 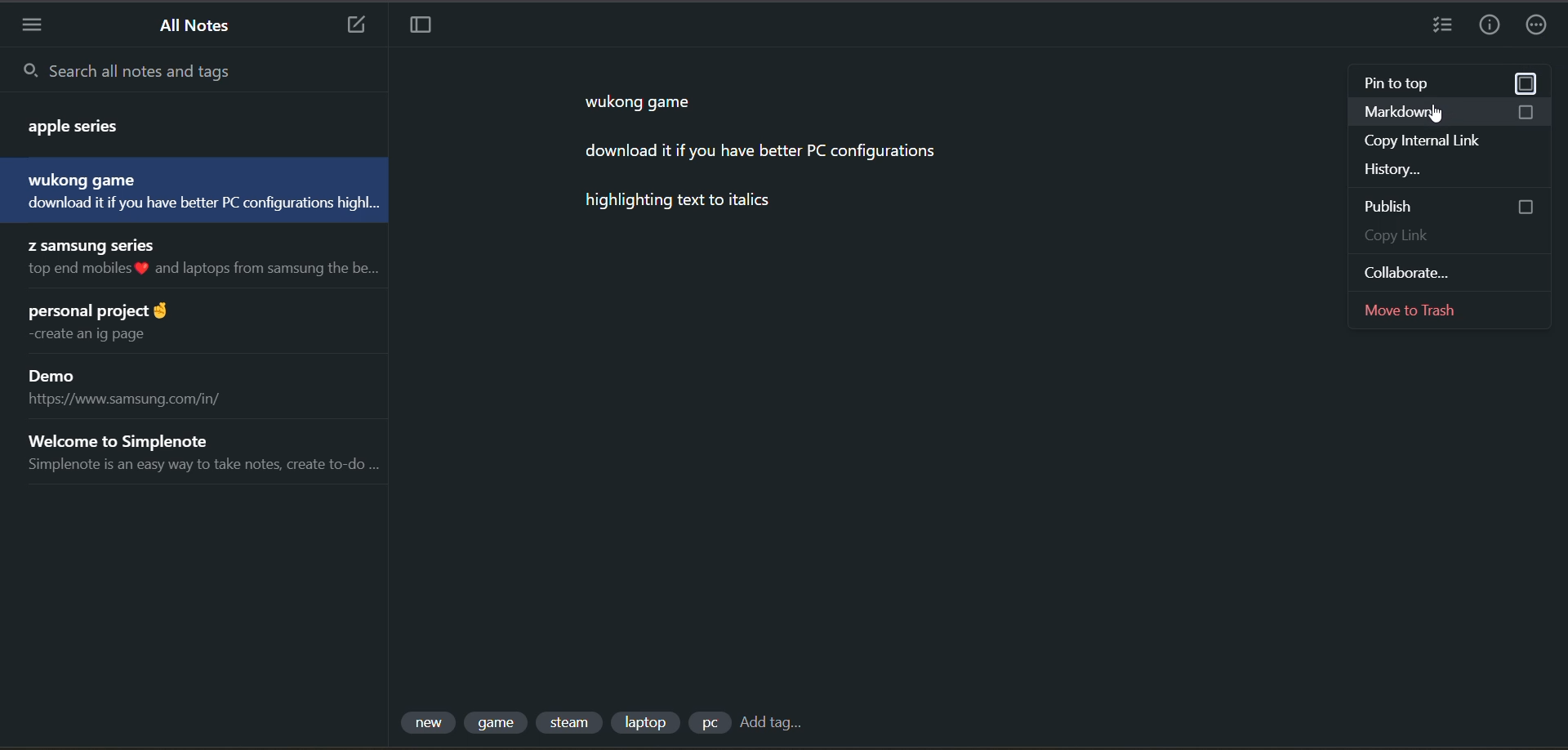 What do you see at coordinates (1450, 84) in the screenshot?
I see `pin to top` at bounding box center [1450, 84].